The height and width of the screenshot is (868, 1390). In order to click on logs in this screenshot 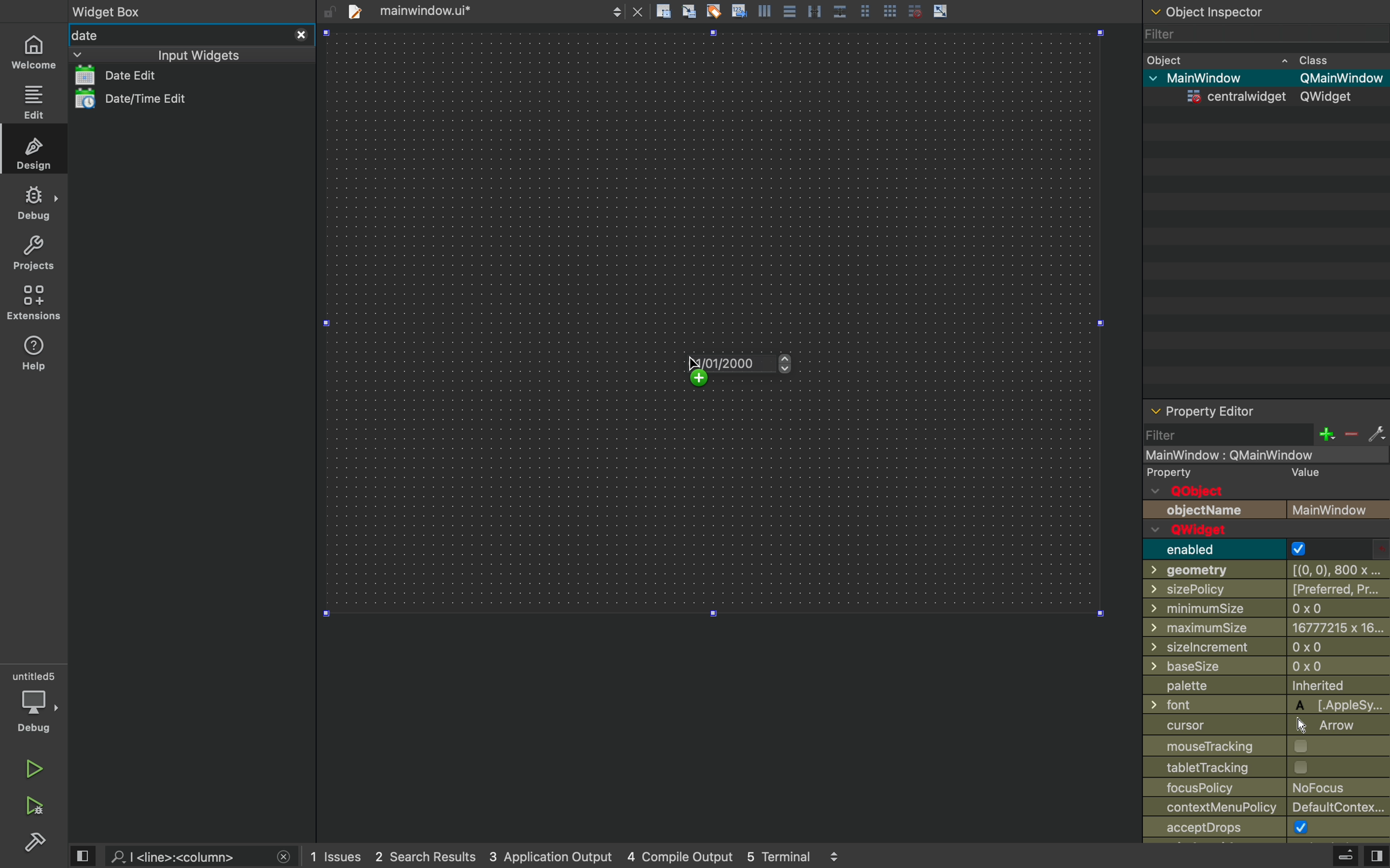, I will do `click(575, 855)`.